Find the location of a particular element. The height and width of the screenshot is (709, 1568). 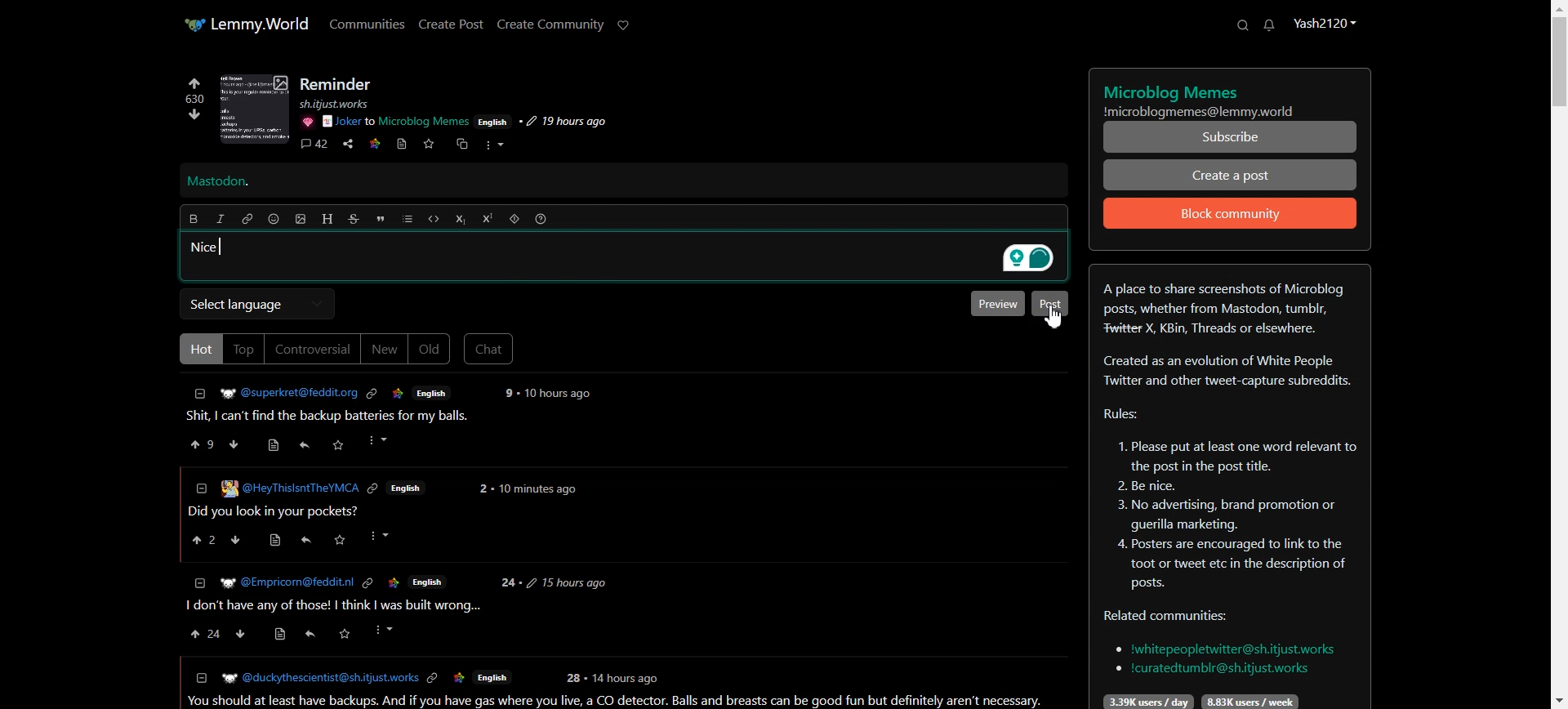

 is located at coordinates (434, 679).